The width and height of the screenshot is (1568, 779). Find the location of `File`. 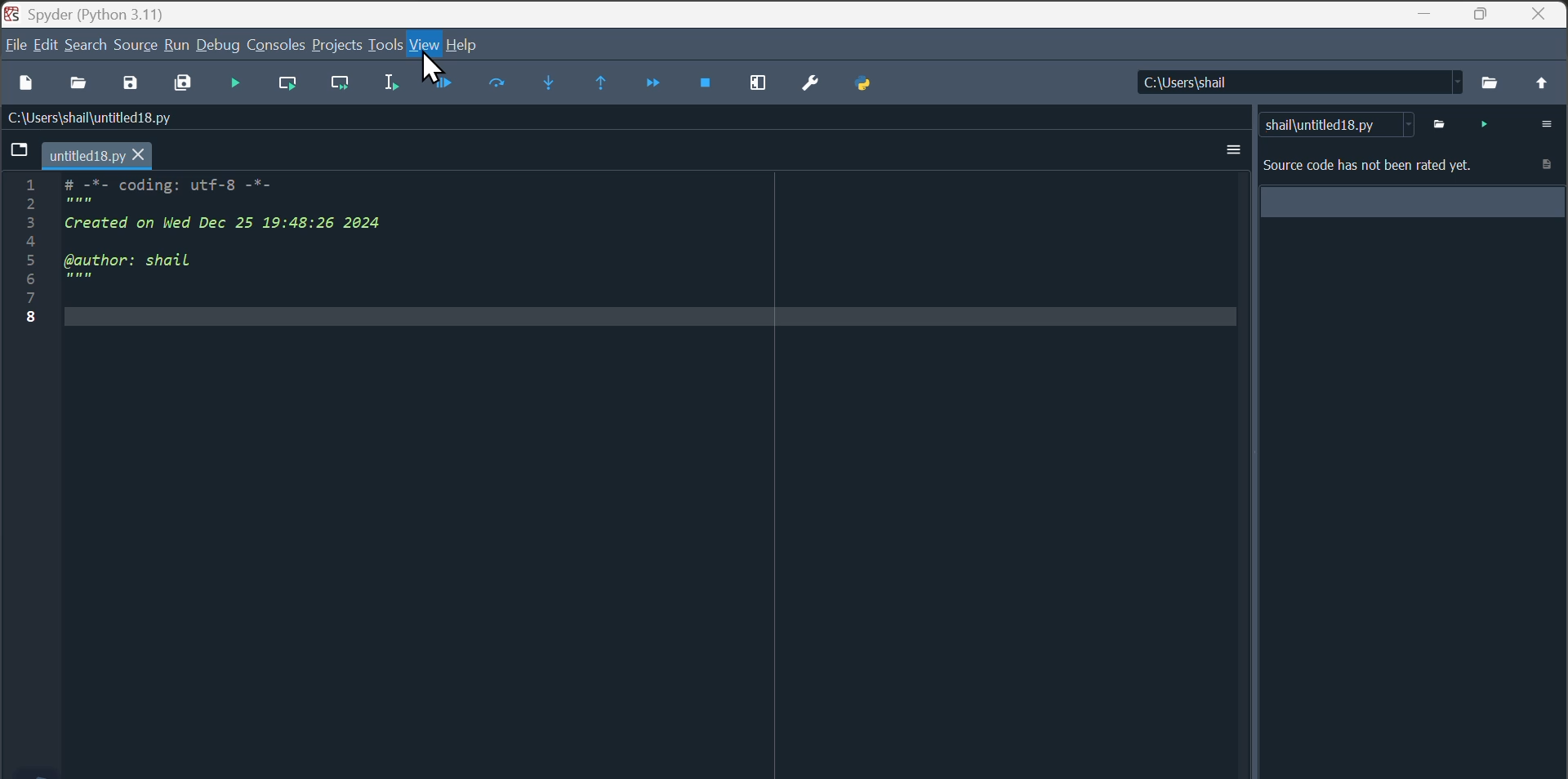

File is located at coordinates (15, 49).